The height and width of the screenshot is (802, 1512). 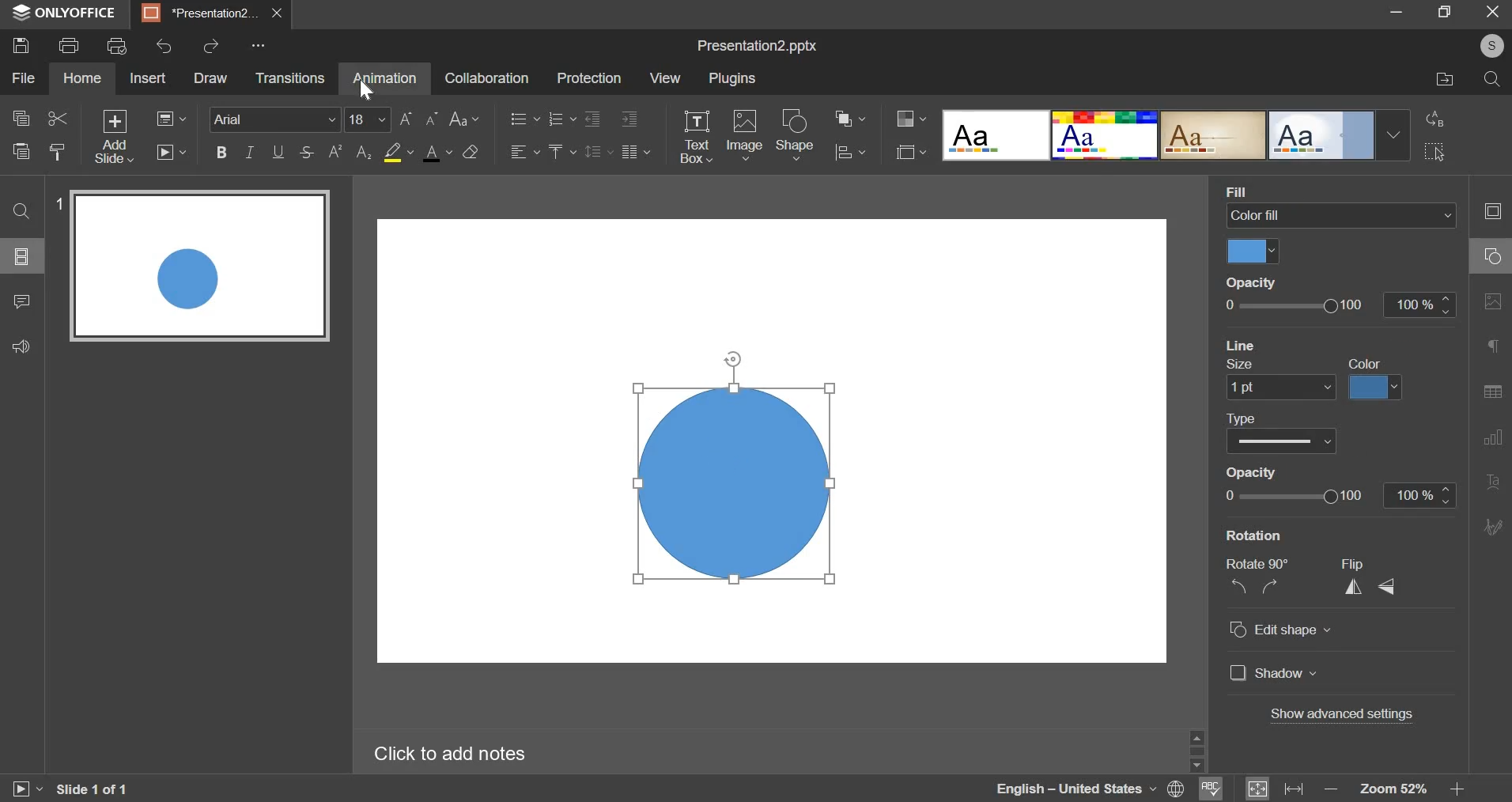 I want to click on apply to all slides, so click(x=1297, y=414).